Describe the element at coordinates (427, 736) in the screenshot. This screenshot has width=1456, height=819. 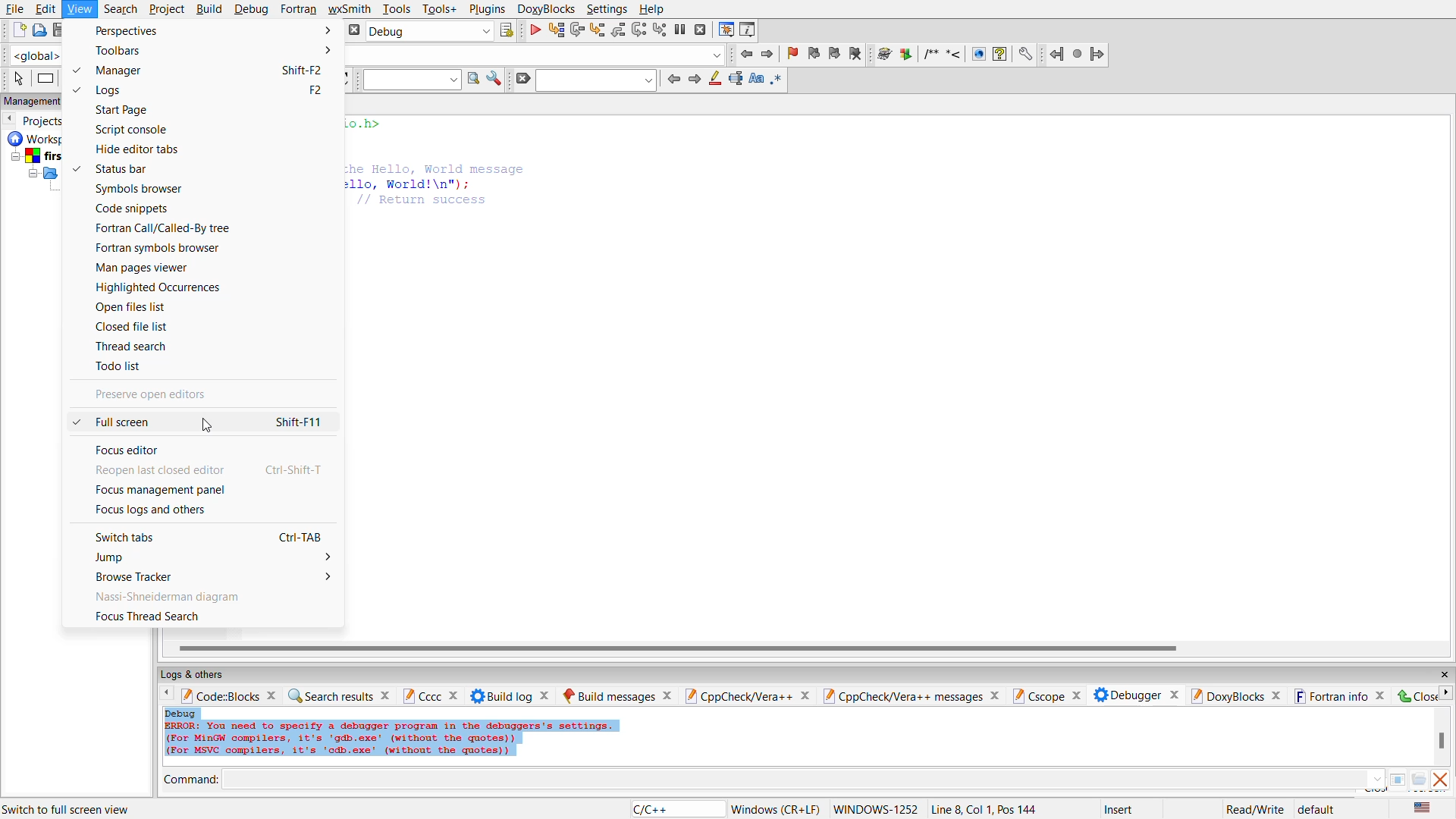
I see `debug data` at that location.